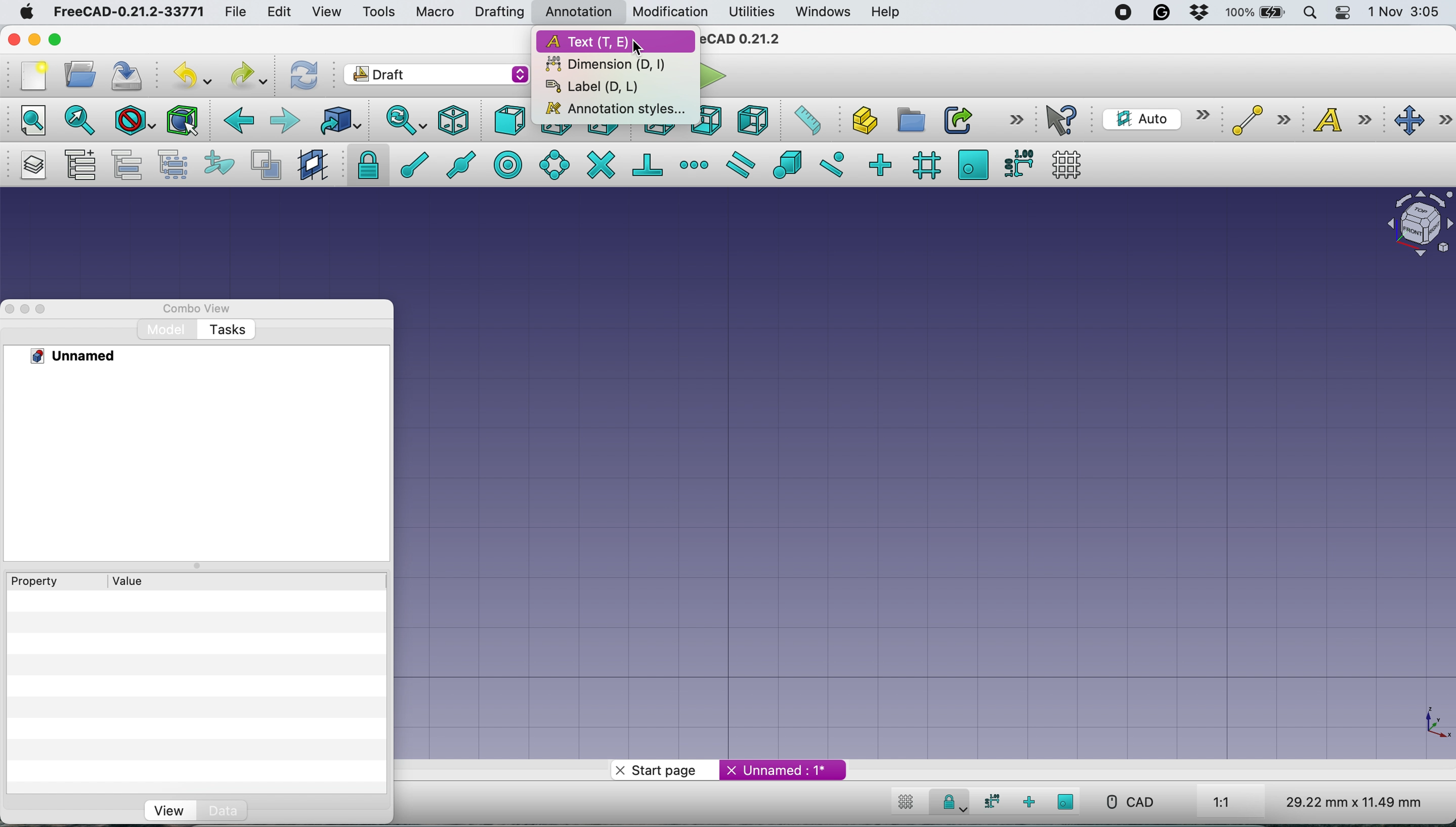 The height and width of the screenshot is (827, 1456). I want to click on snap working plane, so click(1071, 800).